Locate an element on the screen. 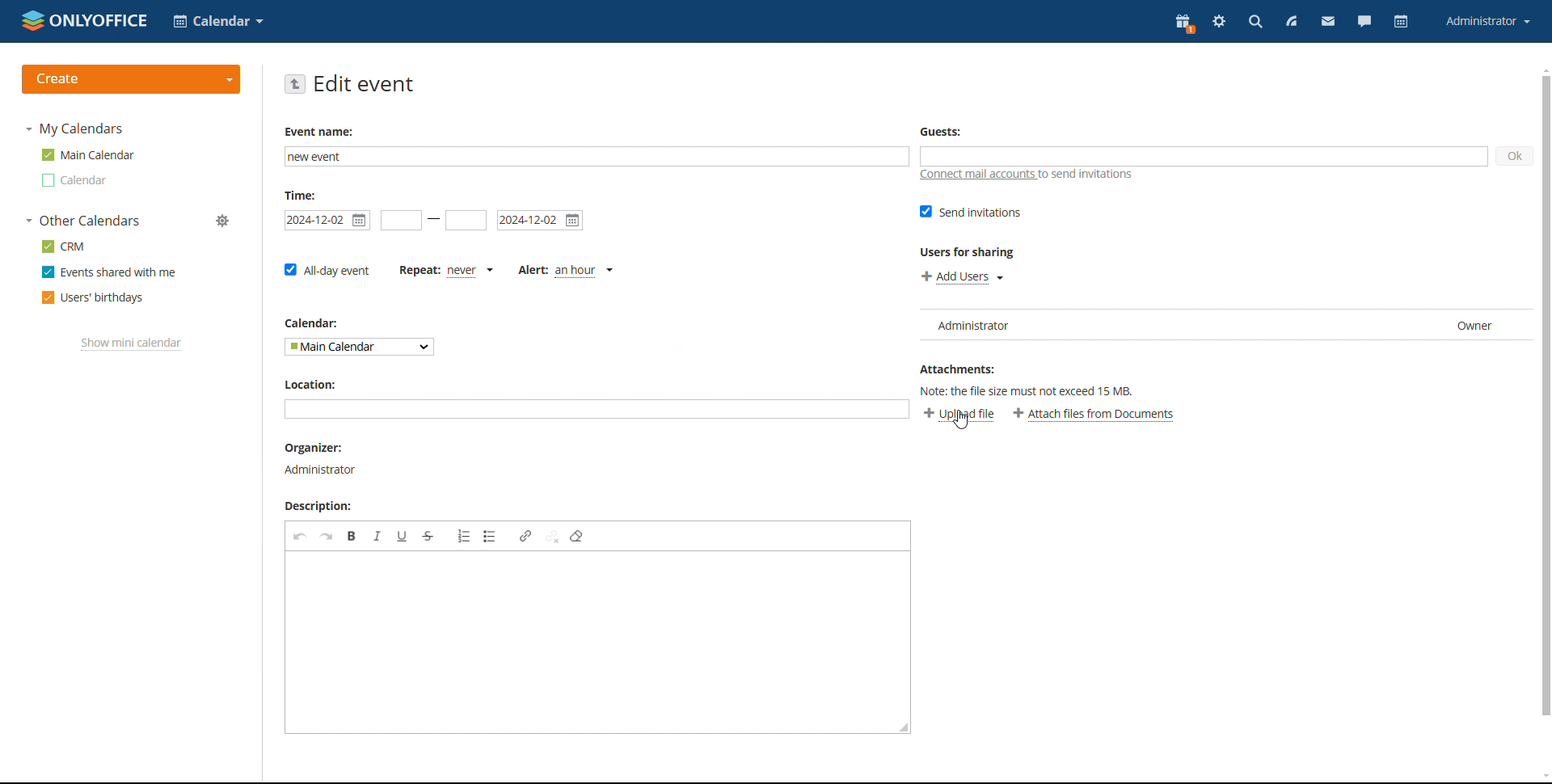 This screenshot has height=784, width=1552. add event name is located at coordinates (597, 157).